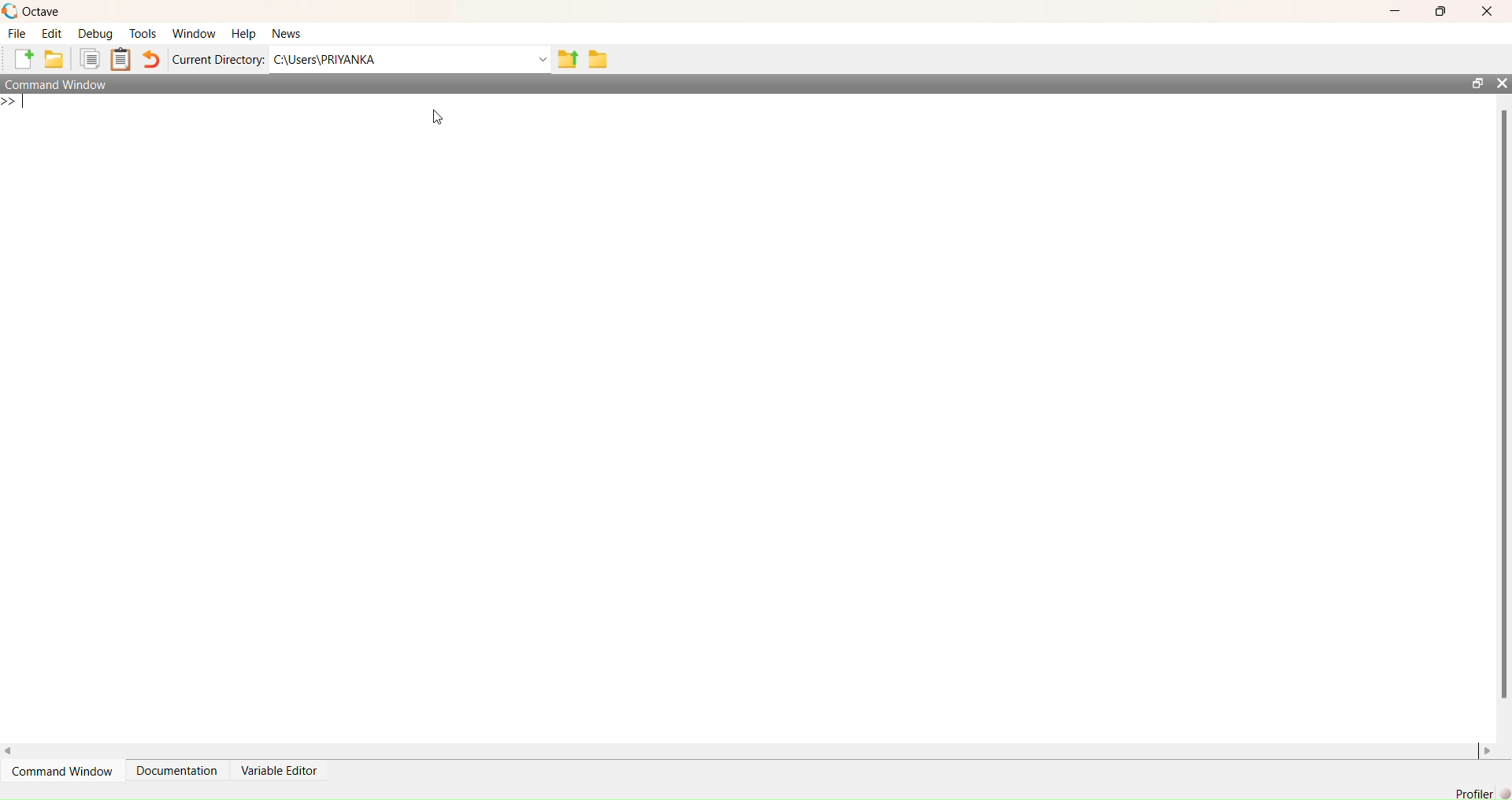 The width and height of the screenshot is (1512, 800). What do you see at coordinates (89, 59) in the screenshot?
I see `copy` at bounding box center [89, 59].